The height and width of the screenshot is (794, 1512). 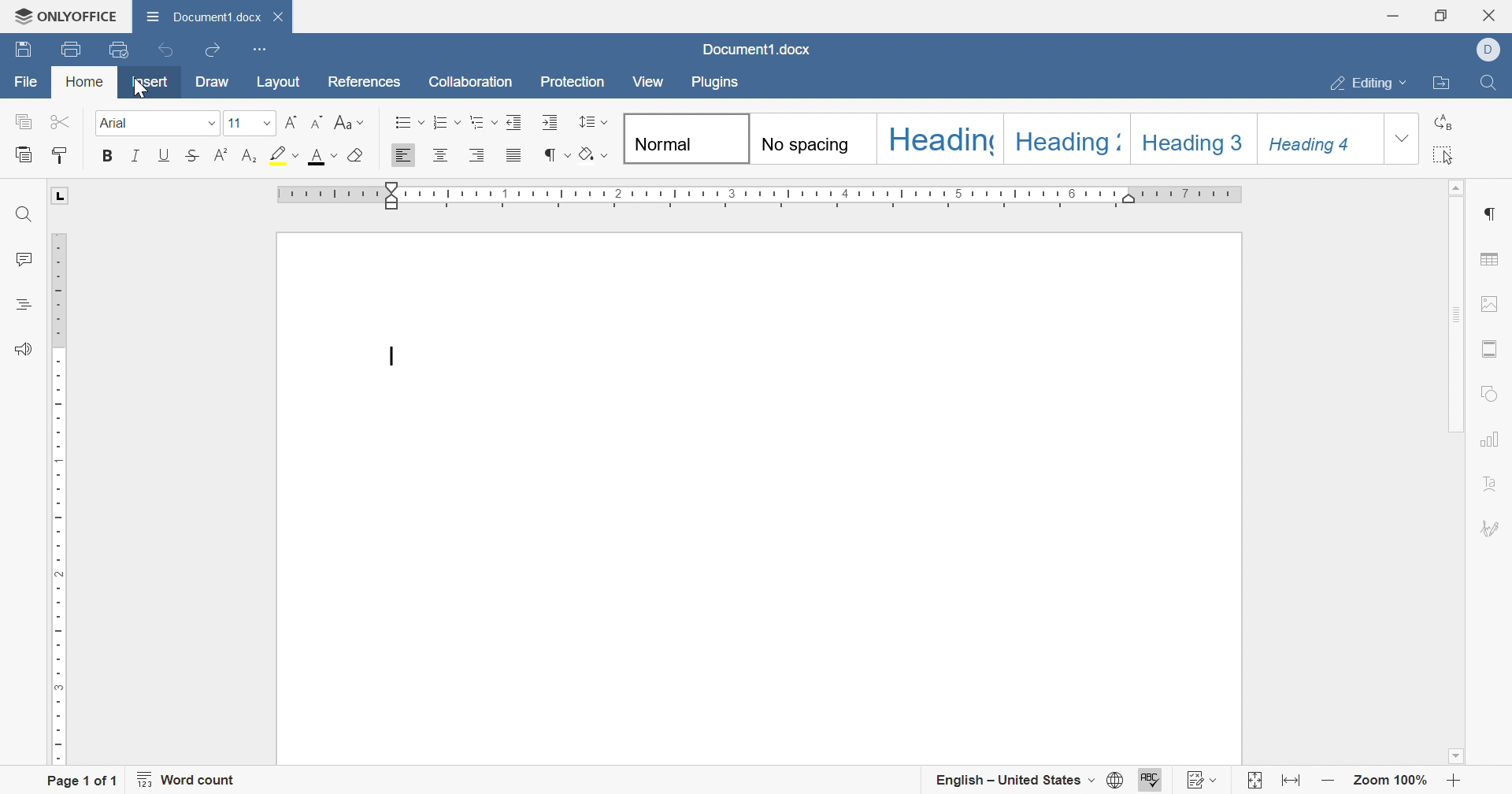 What do you see at coordinates (471, 84) in the screenshot?
I see `Collaboration` at bounding box center [471, 84].